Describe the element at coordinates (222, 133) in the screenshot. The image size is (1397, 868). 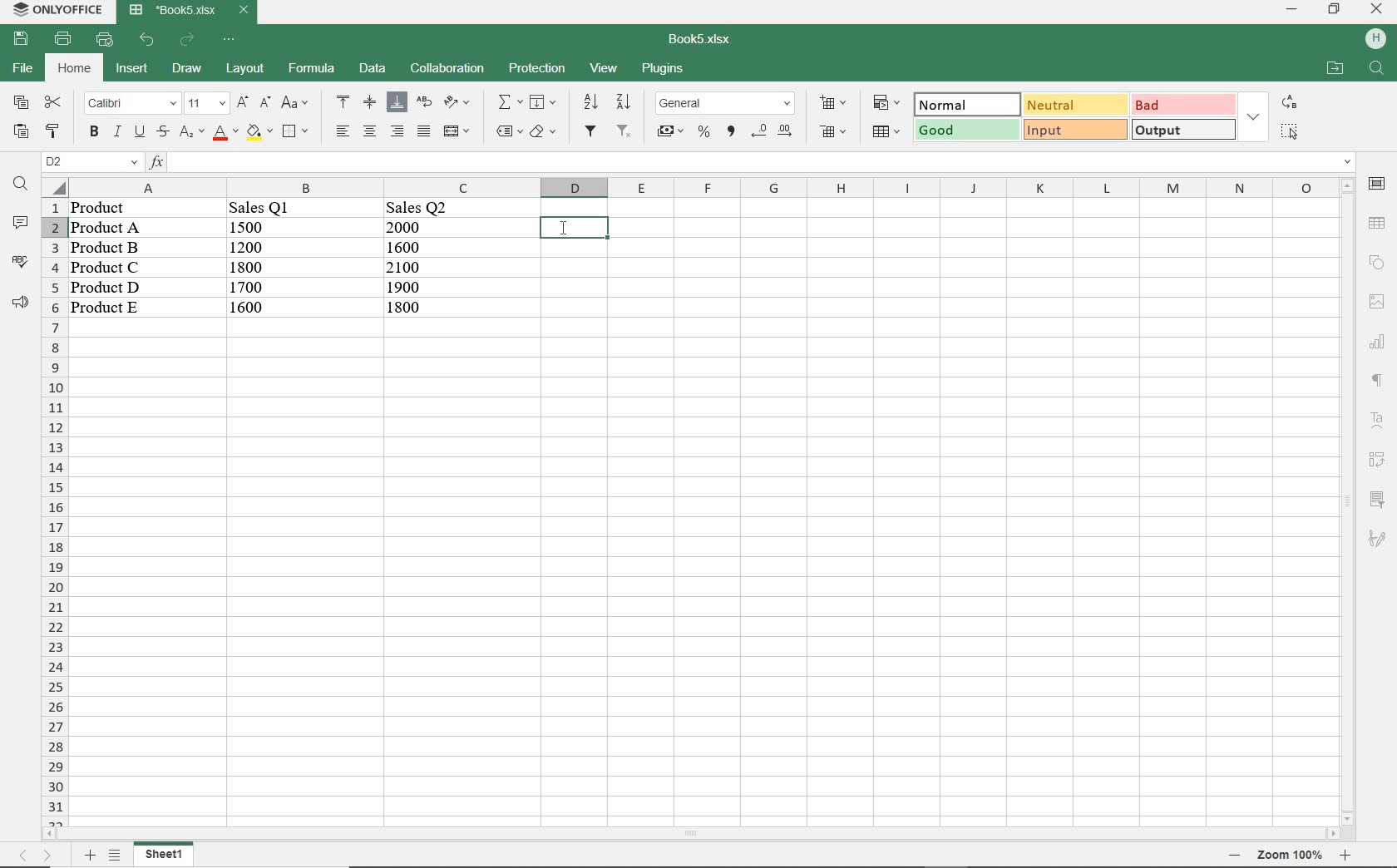
I see `font color` at that location.